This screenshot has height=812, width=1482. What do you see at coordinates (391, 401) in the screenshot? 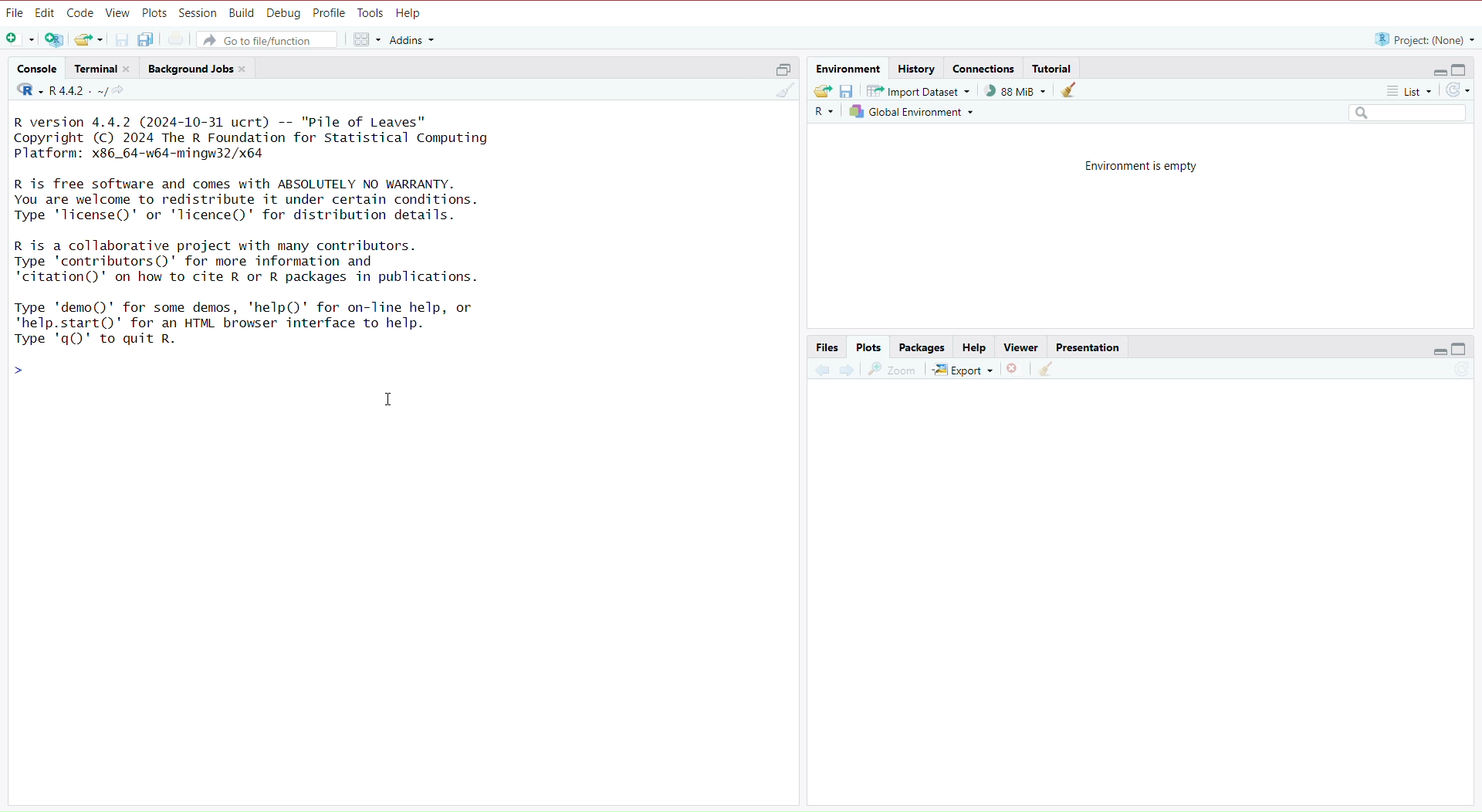
I see `cursor` at bounding box center [391, 401].